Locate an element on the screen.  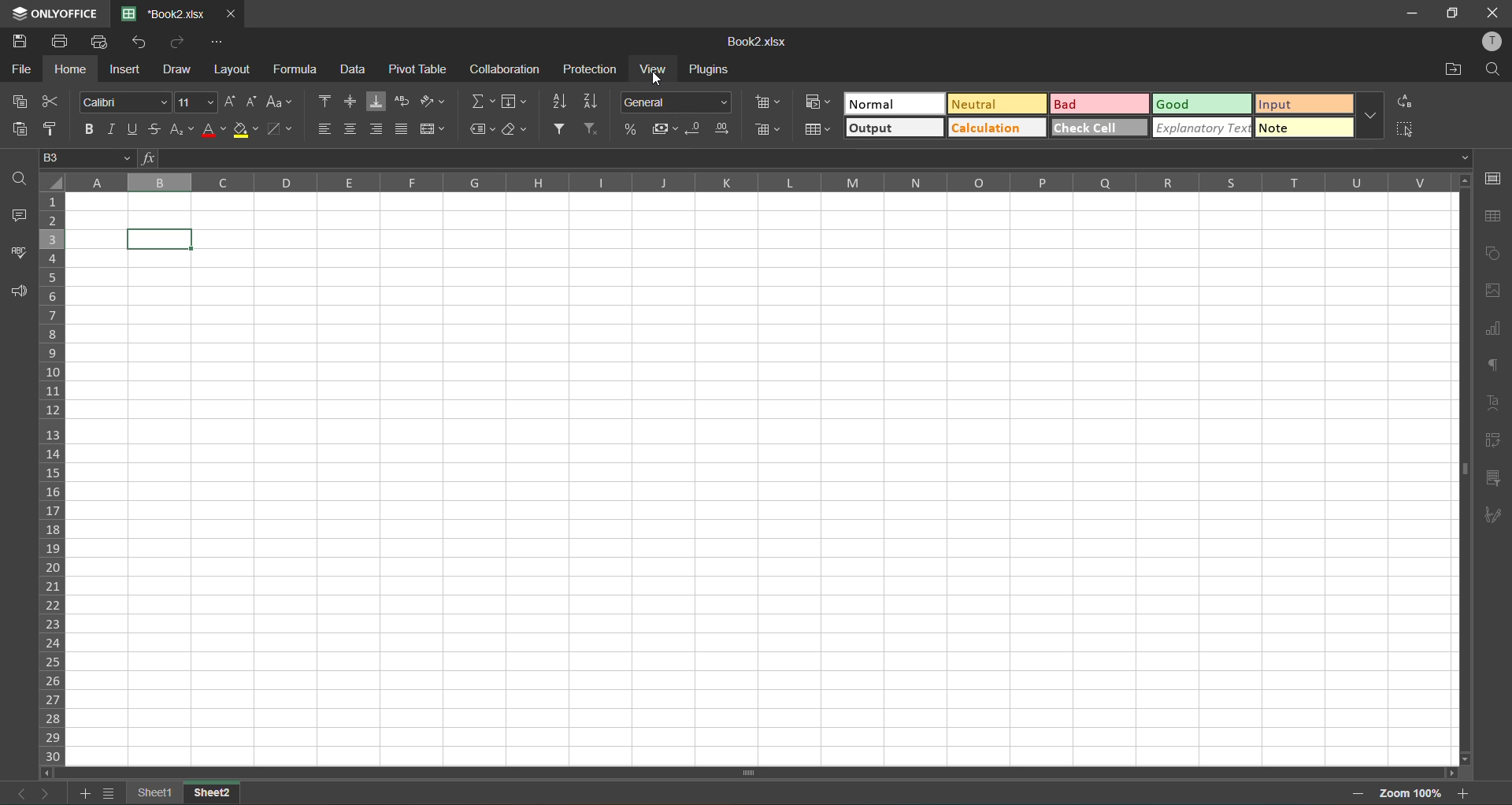
calculation is located at coordinates (1002, 129).